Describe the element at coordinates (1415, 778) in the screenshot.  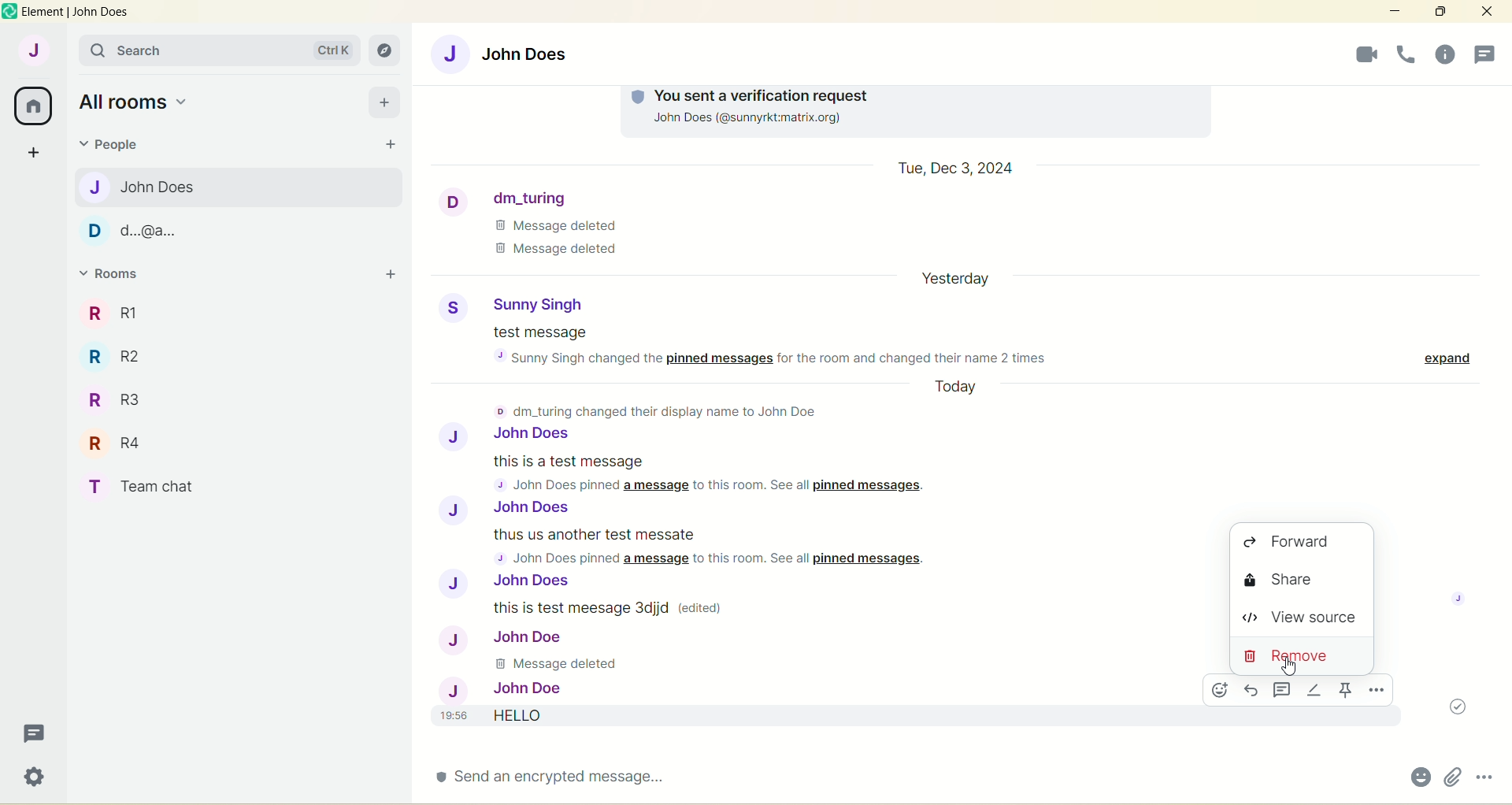
I see `emoji` at that location.